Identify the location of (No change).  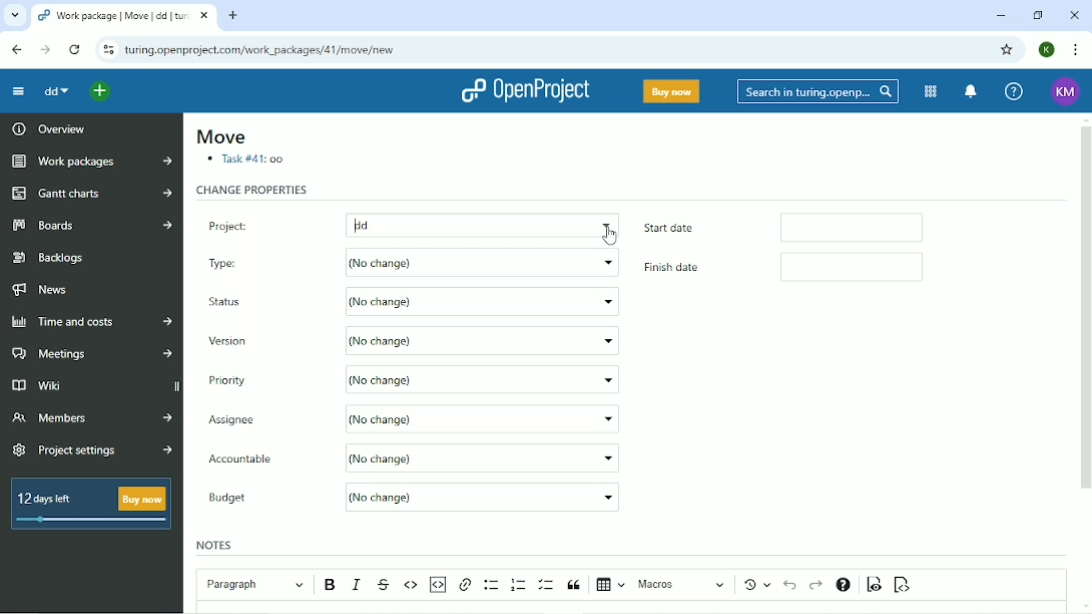
(482, 417).